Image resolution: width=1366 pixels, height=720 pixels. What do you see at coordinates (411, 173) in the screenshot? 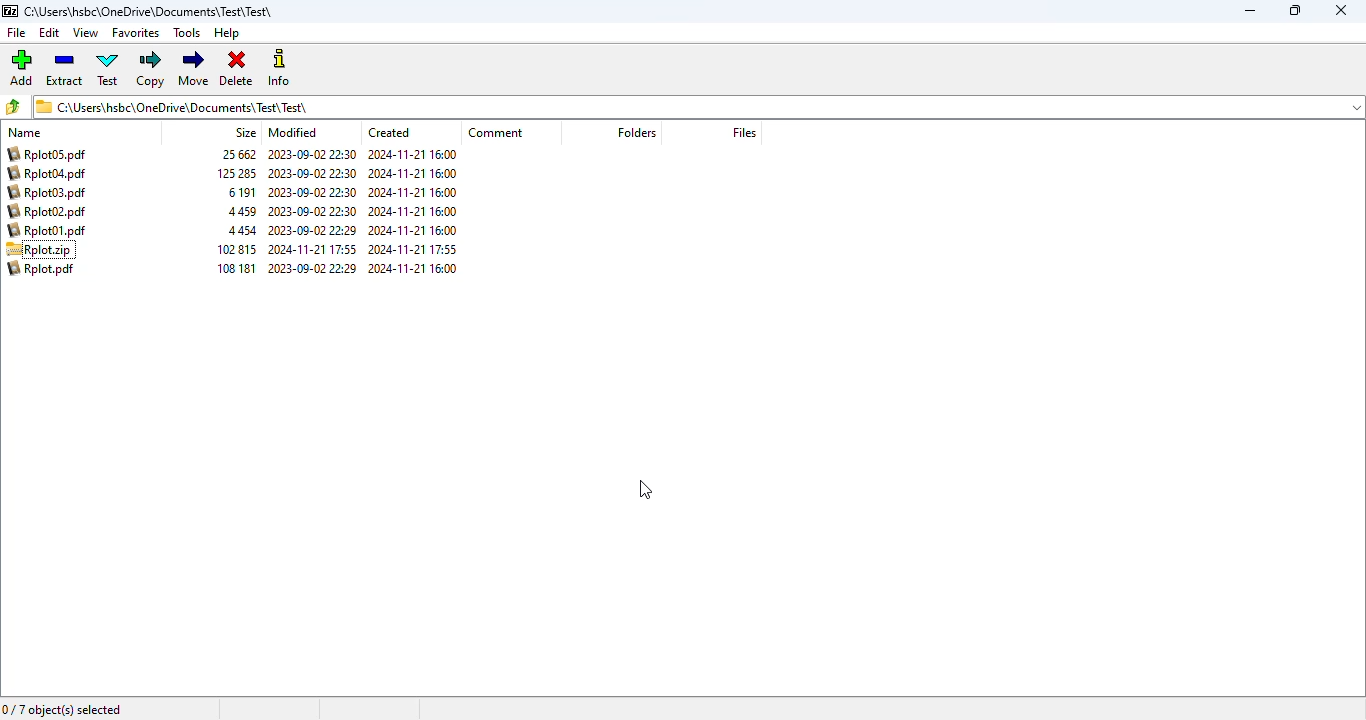
I see `2024-11-21 16:00` at bounding box center [411, 173].